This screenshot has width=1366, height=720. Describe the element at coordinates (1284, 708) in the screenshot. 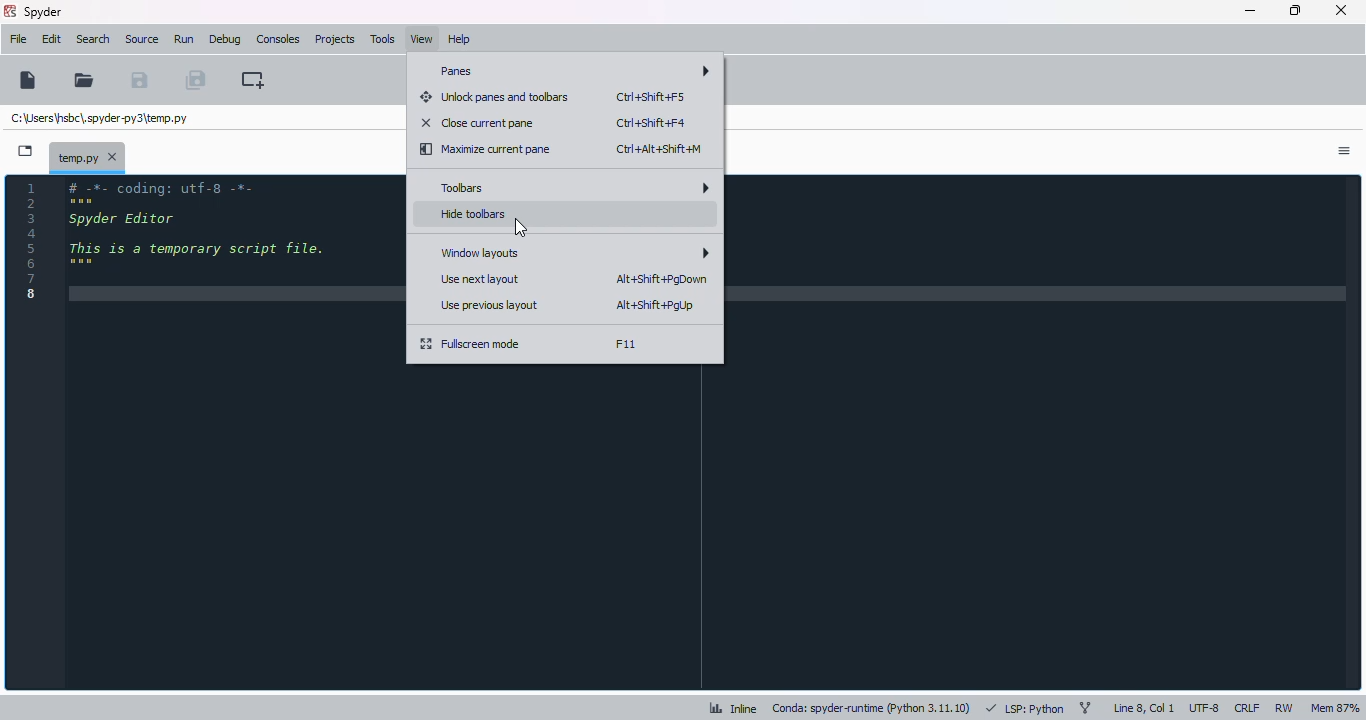

I see `RW` at that location.